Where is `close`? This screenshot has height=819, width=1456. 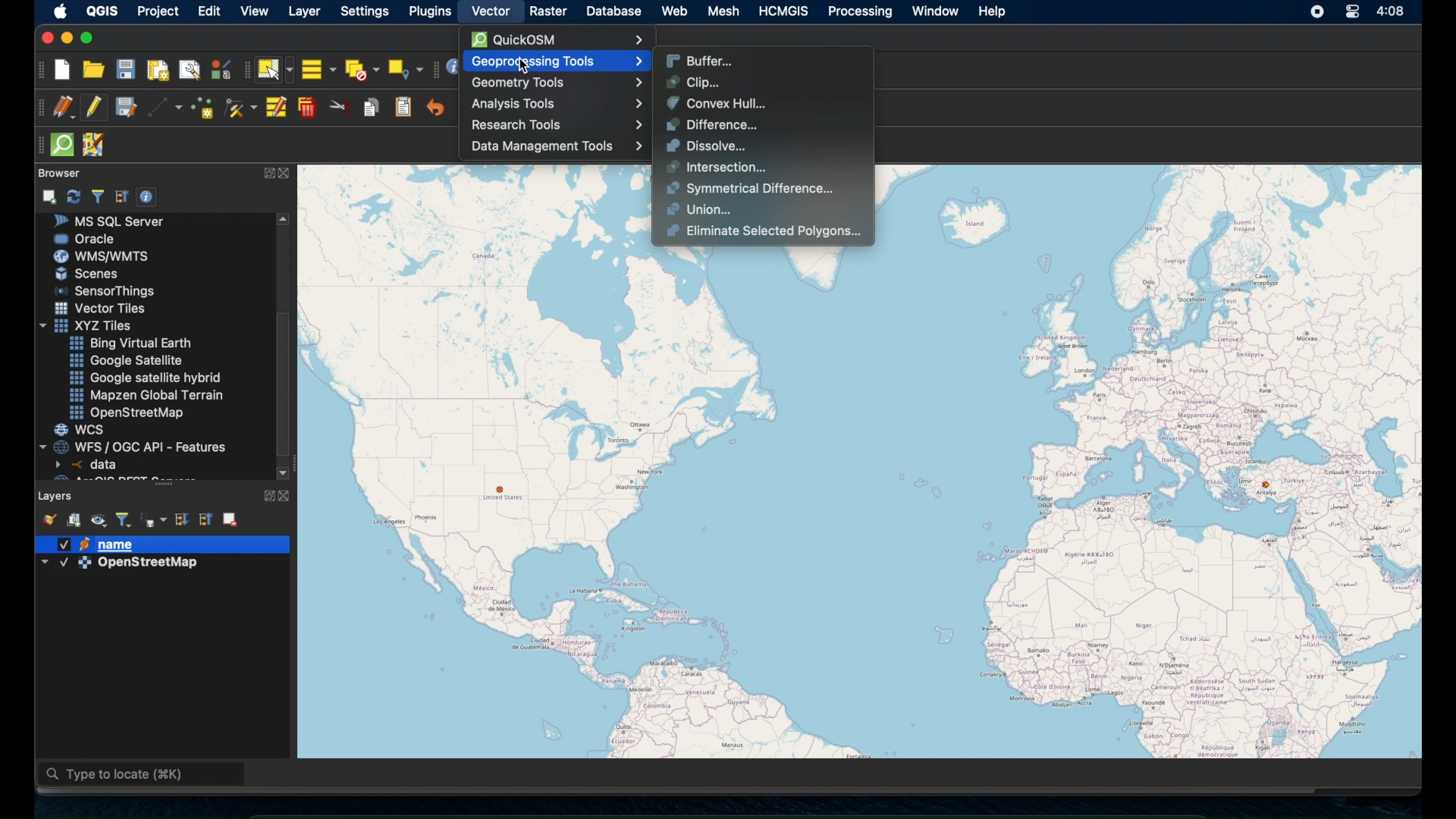
close is located at coordinates (289, 496).